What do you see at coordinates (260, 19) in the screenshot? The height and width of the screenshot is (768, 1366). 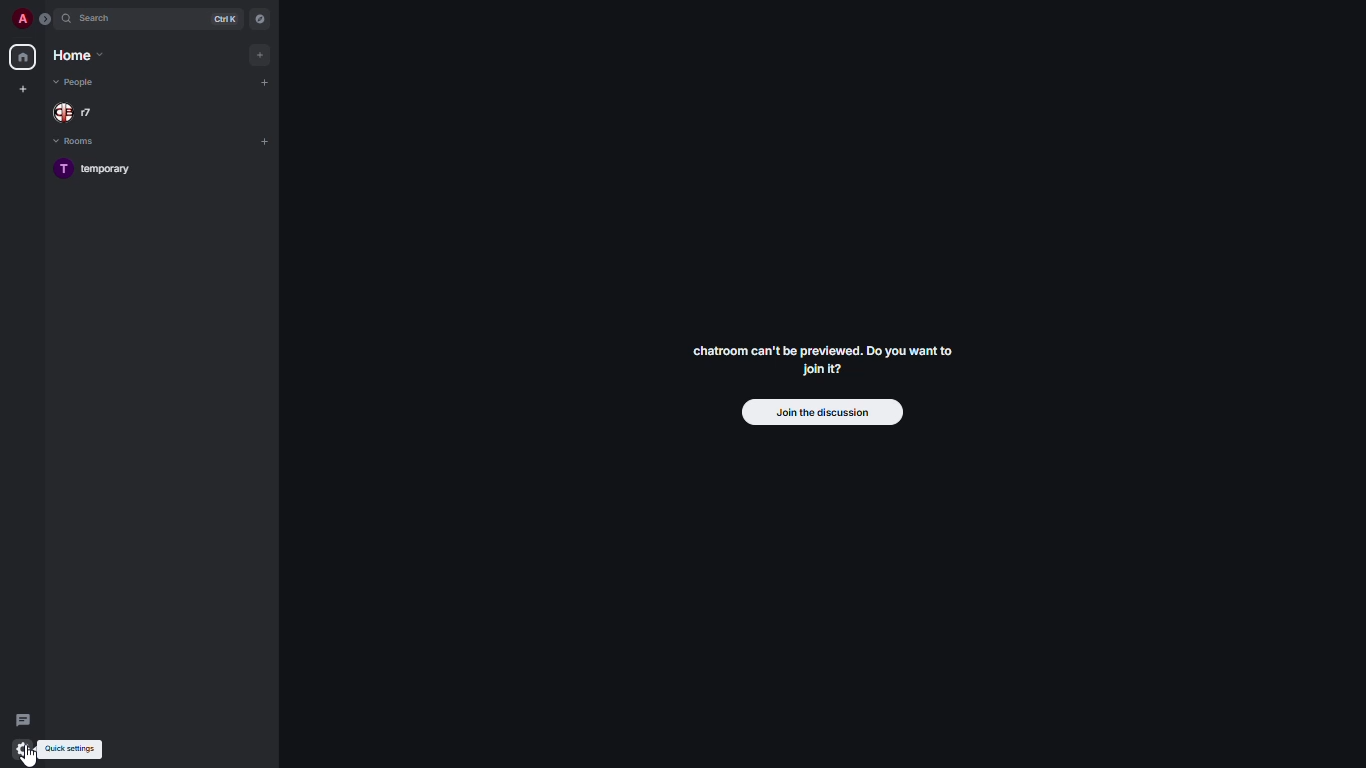 I see `navigator` at bounding box center [260, 19].